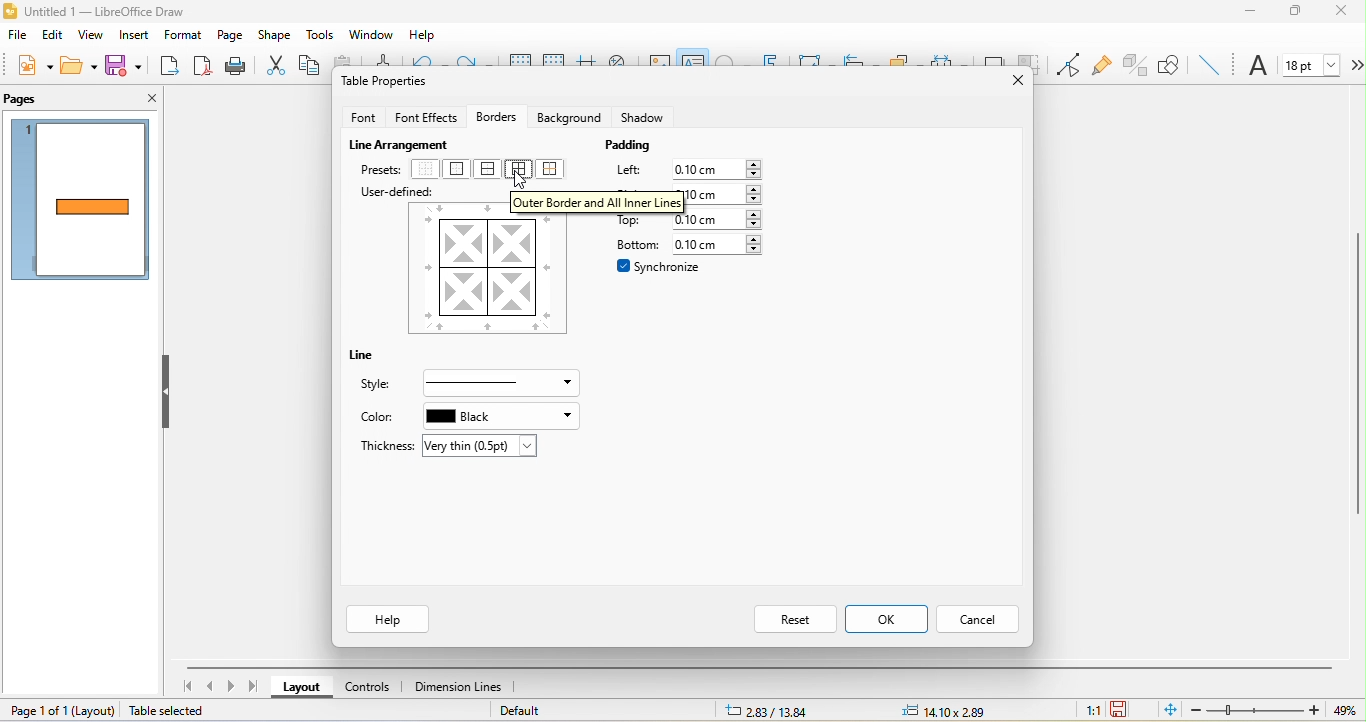  Describe the element at coordinates (272, 65) in the screenshot. I see `cut` at that location.